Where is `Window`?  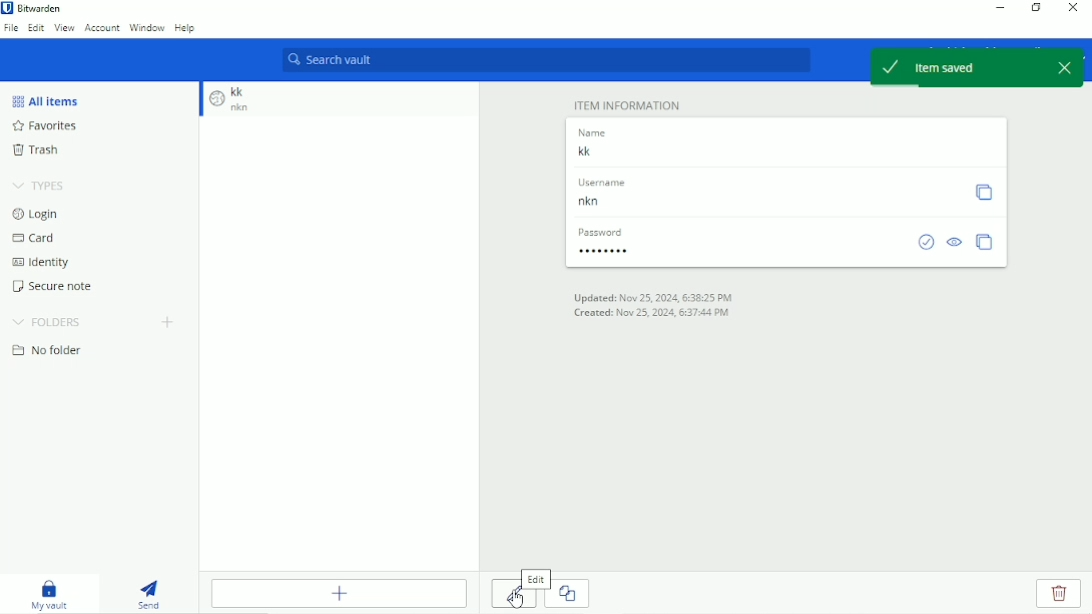
Window is located at coordinates (147, 28).